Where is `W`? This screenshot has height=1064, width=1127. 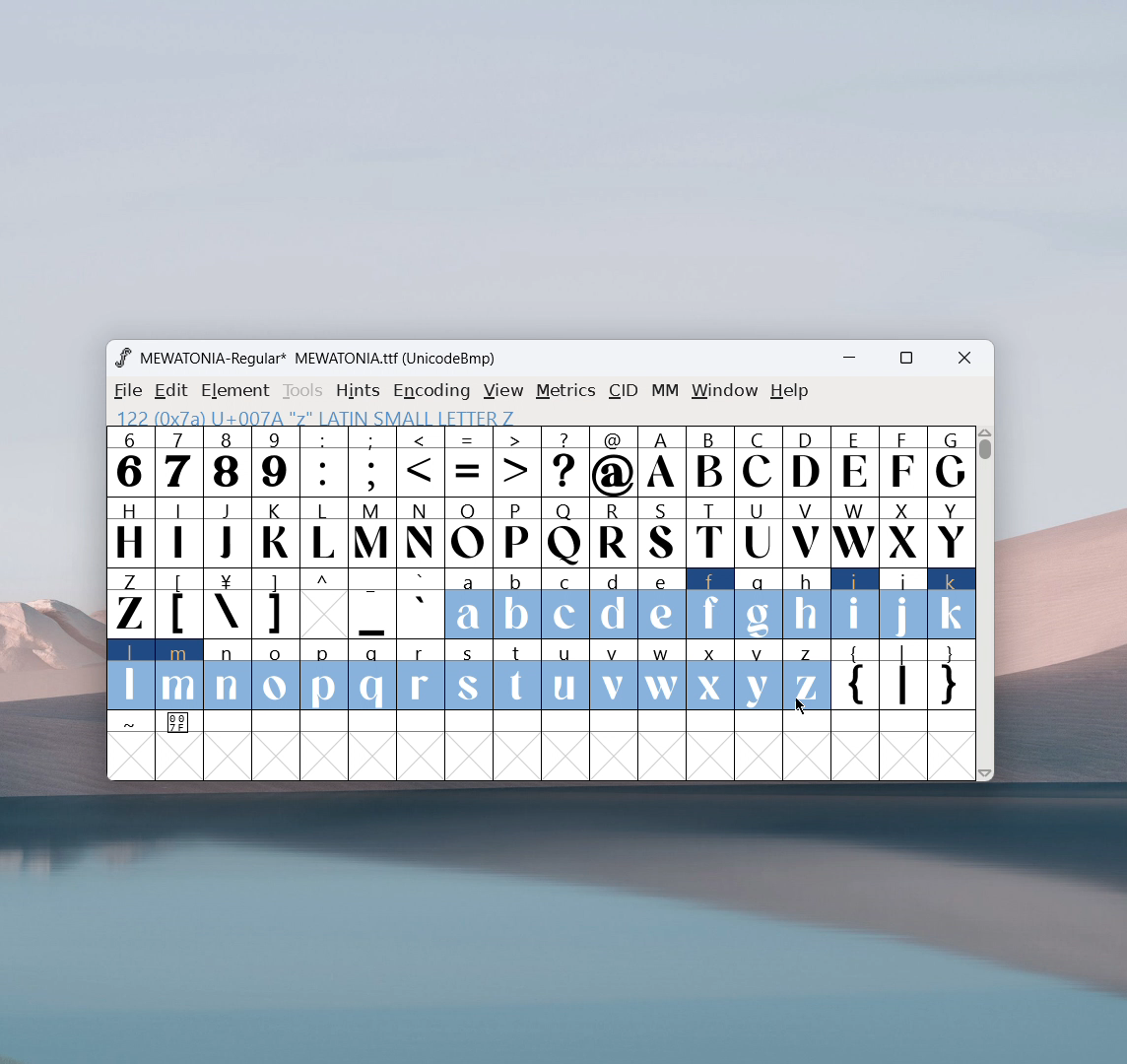
W is located at coordinates (853, 532).